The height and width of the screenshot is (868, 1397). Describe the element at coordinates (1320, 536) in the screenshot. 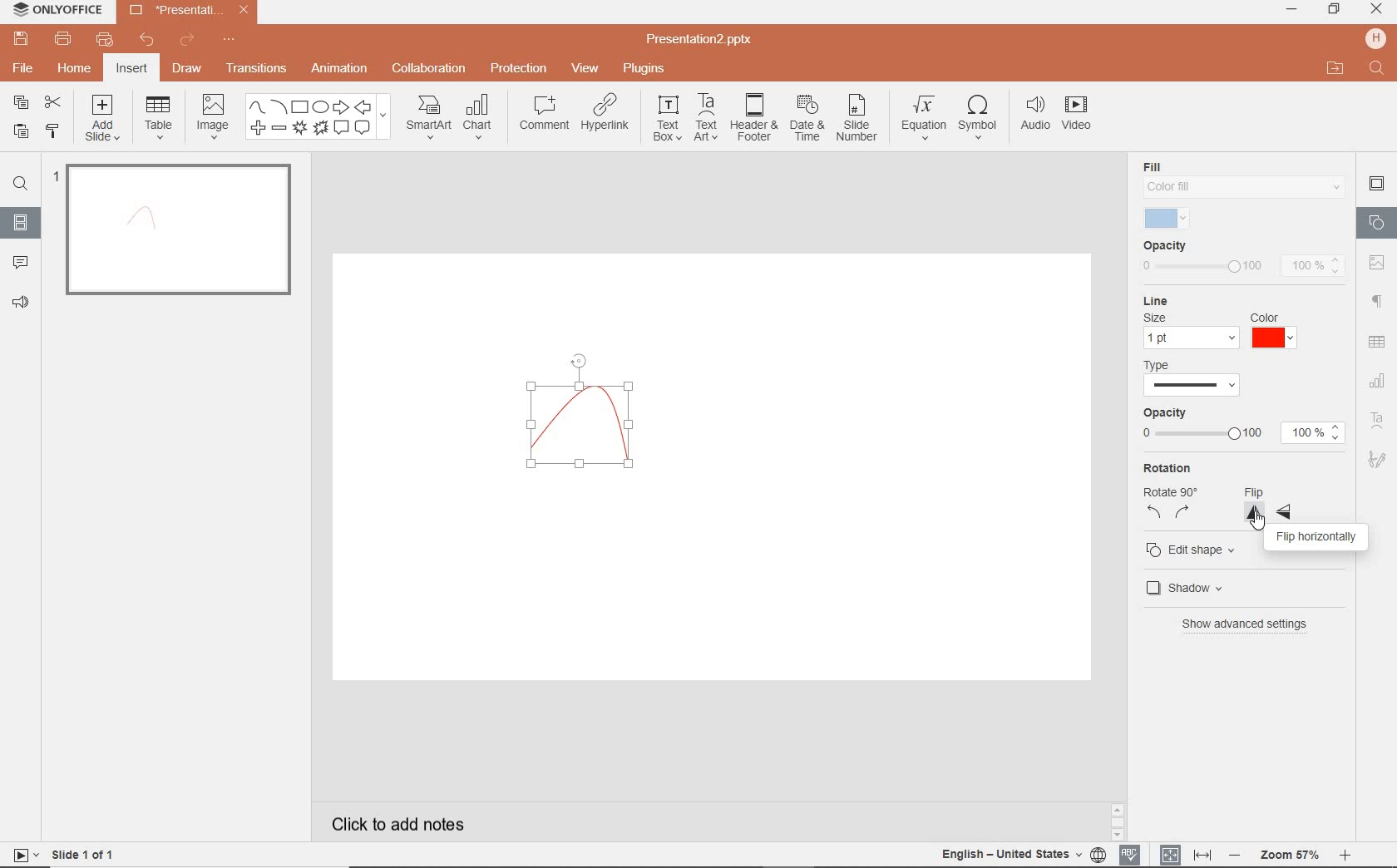

I see `flip horizontally` at that location.